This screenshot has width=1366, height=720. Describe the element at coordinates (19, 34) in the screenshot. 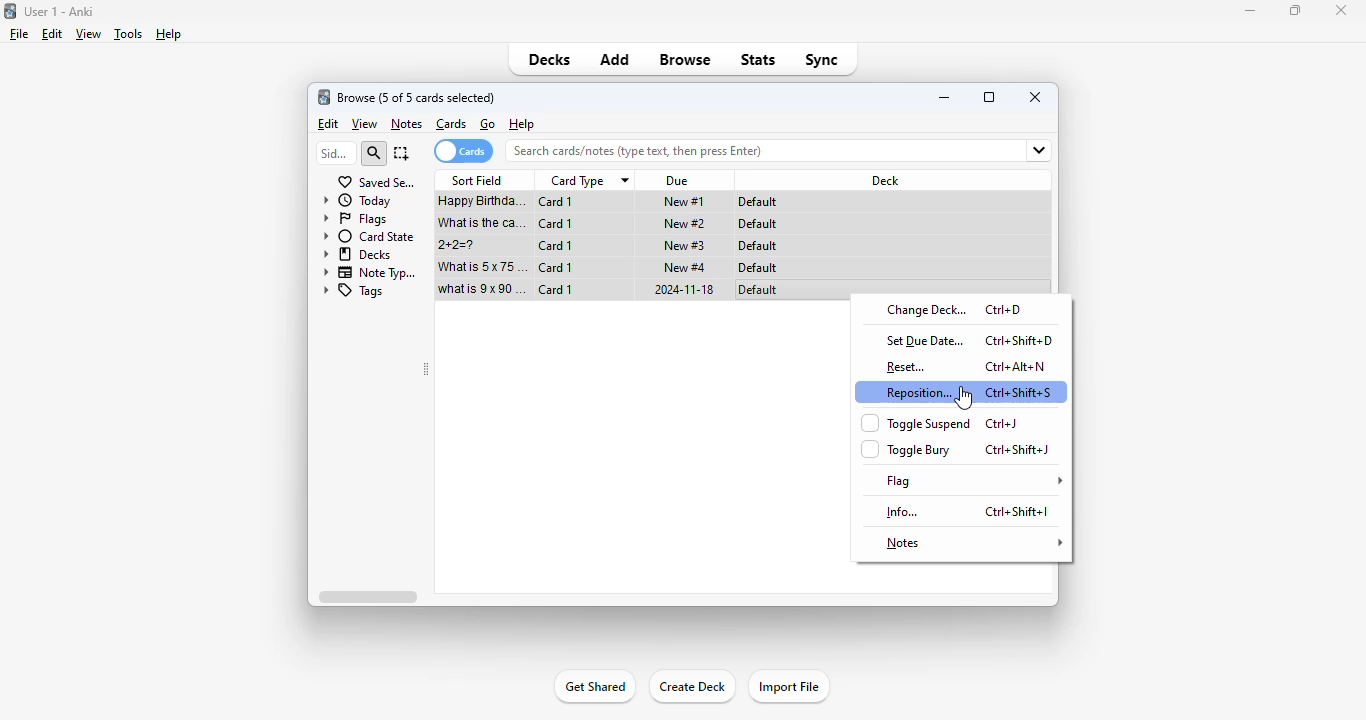

I see `file` at that location.